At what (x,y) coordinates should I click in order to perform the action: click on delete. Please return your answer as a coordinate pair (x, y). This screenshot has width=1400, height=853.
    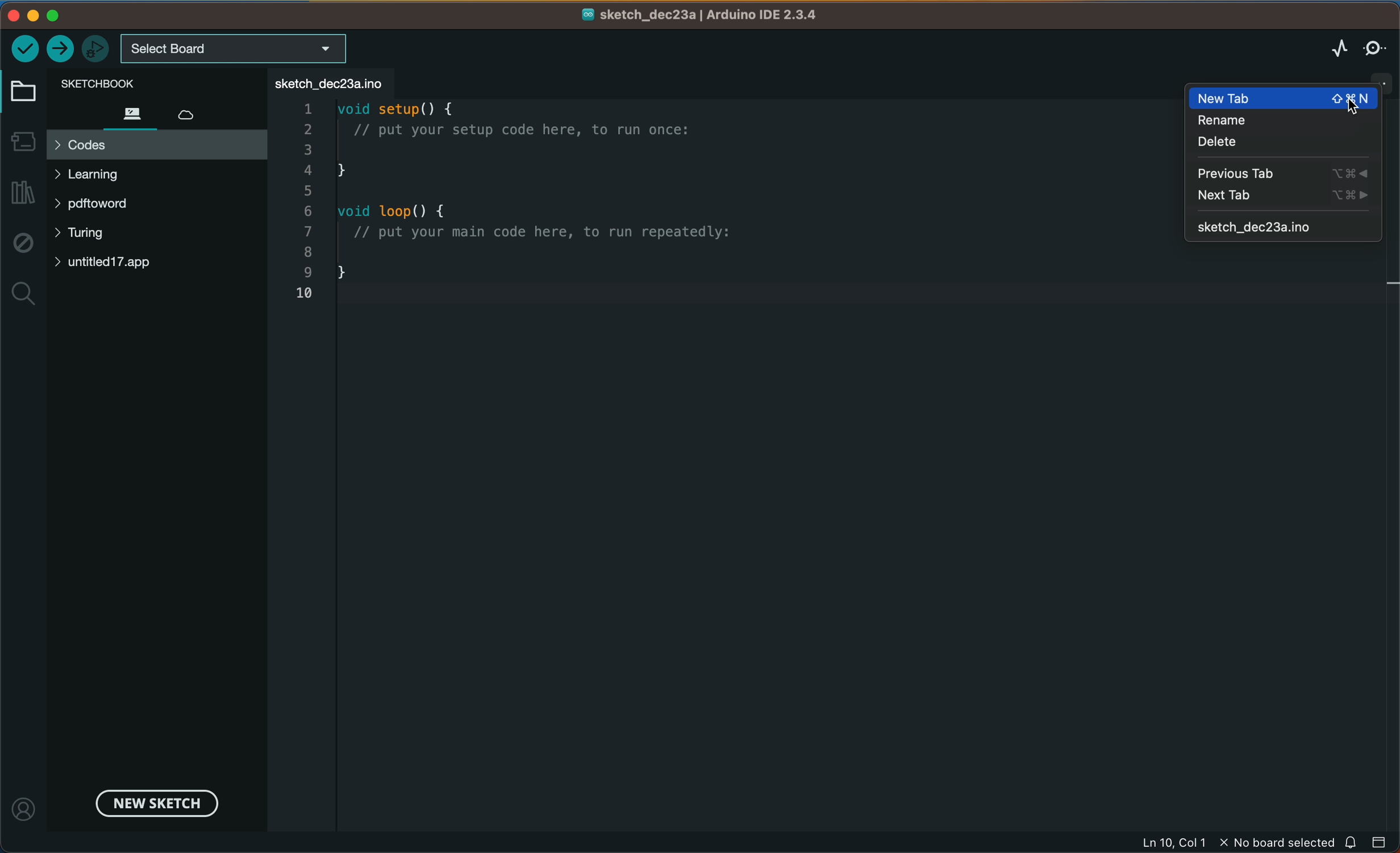
    Looking at the image, I should click on (1243, 144).